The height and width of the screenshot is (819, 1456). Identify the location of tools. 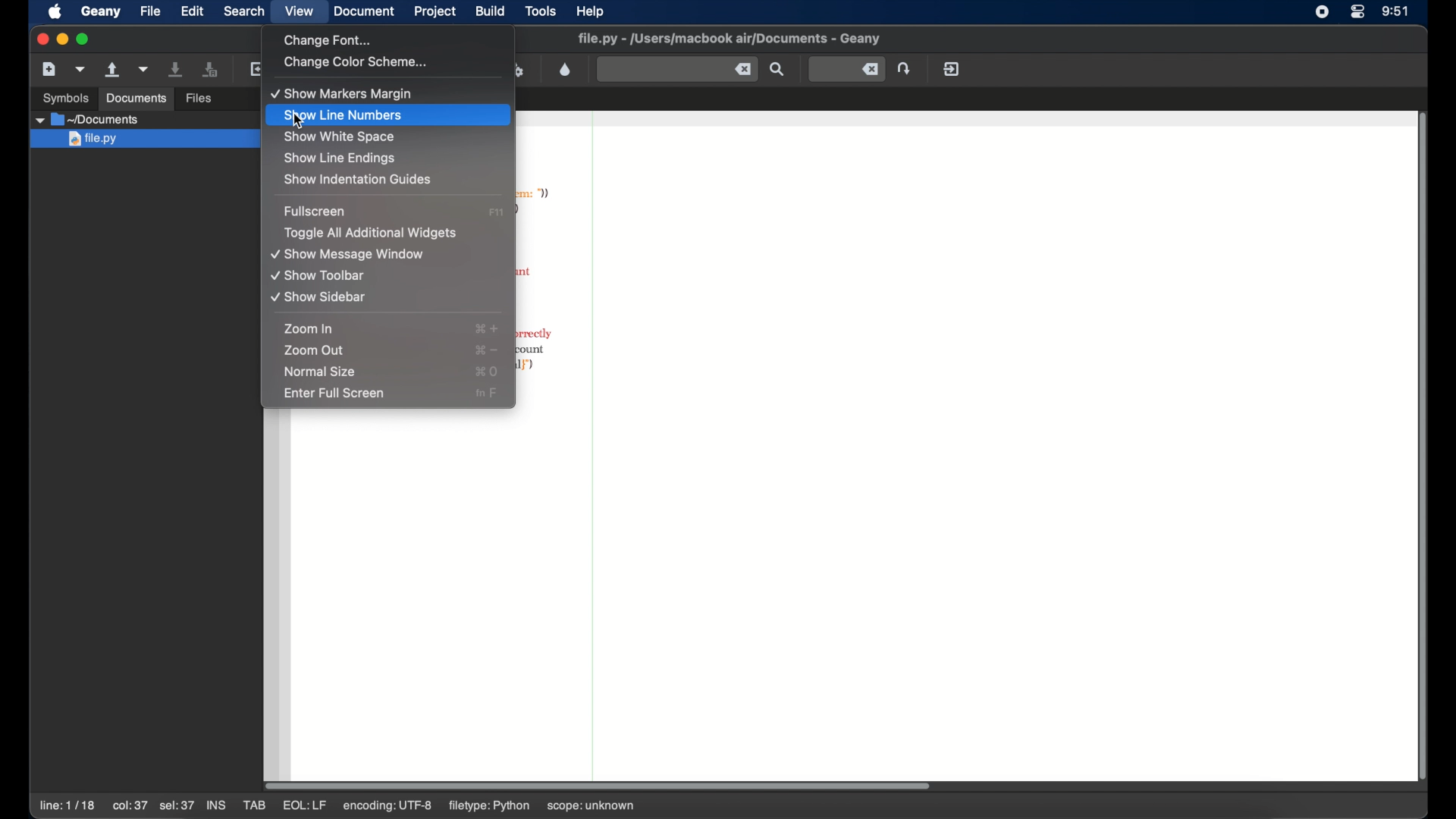
(541, 11).